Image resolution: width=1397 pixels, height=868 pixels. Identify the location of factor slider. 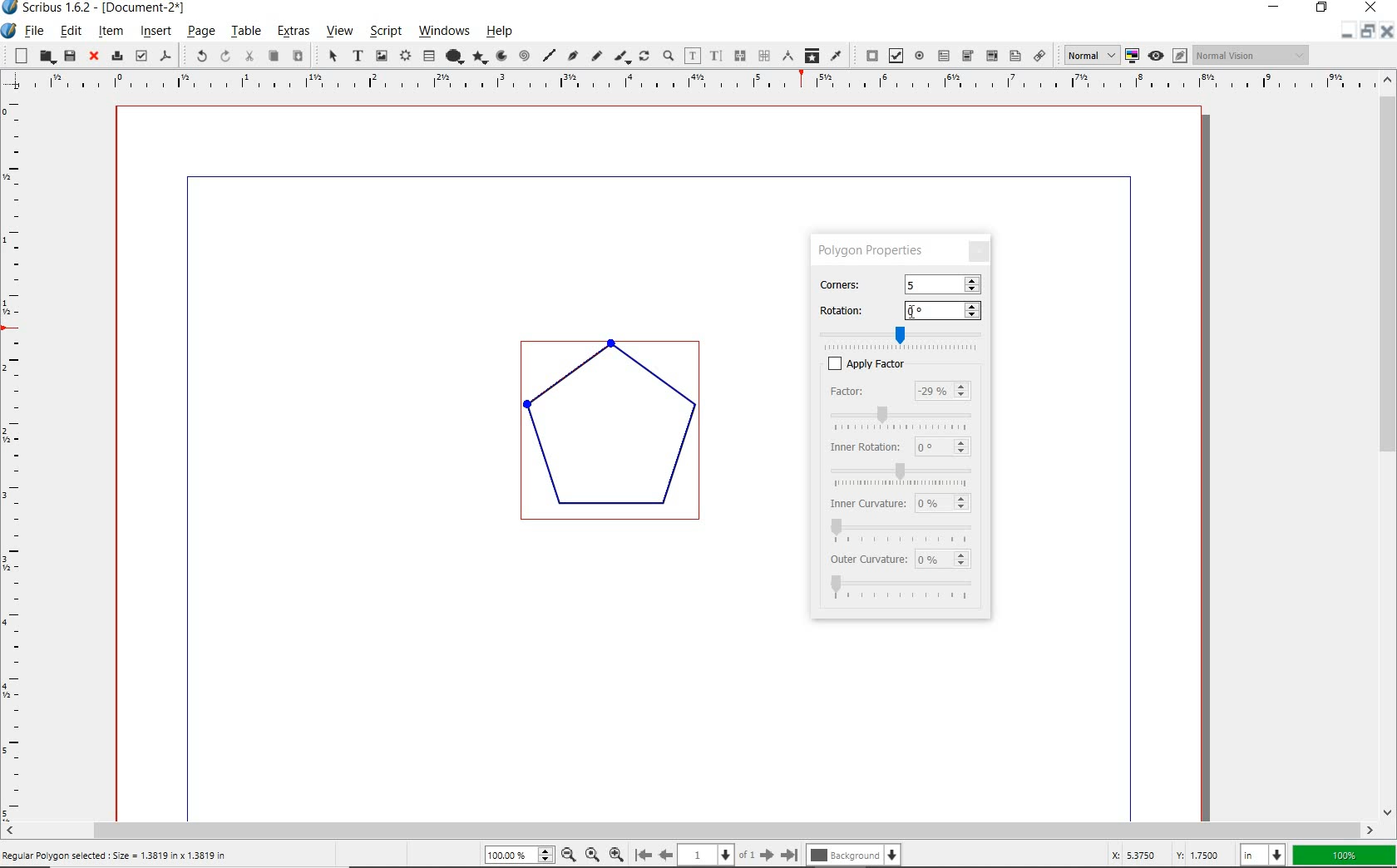
(906, 416).